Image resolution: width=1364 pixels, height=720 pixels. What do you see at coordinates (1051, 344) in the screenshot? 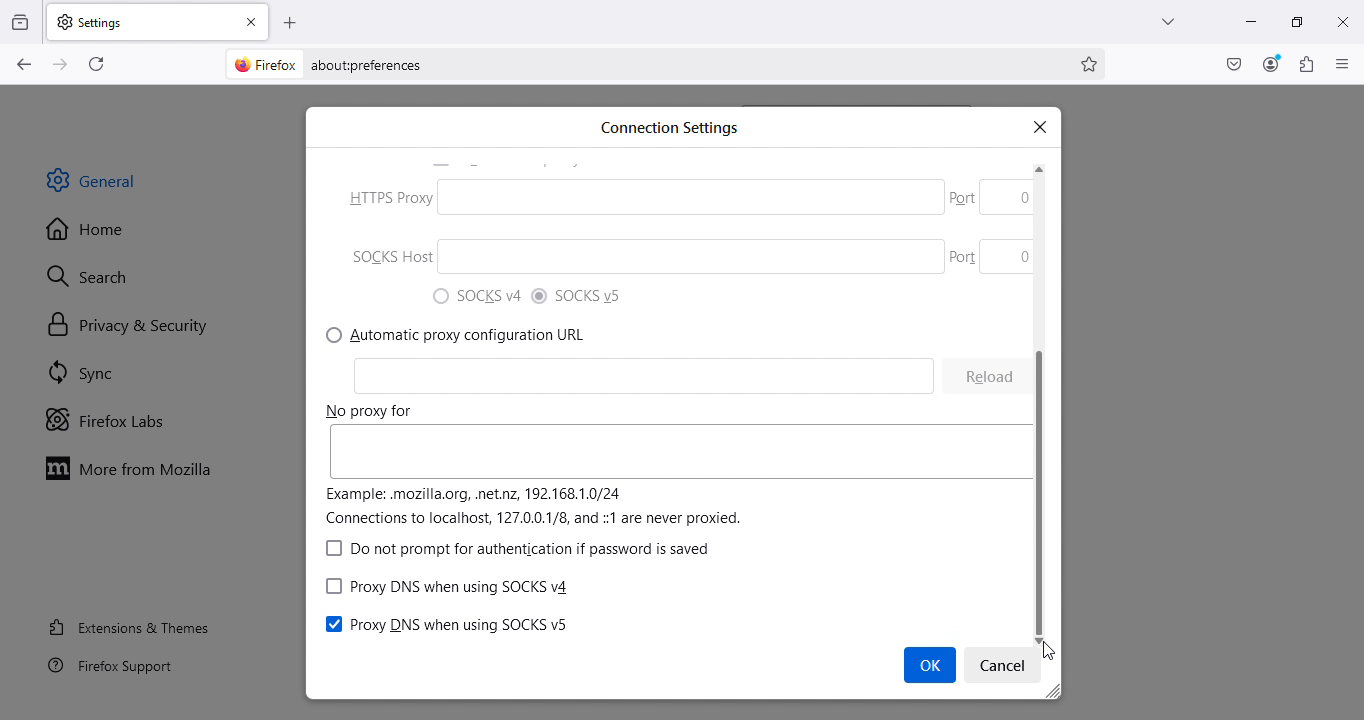
I see `scroll bar` at bounding box center [1051, 344].